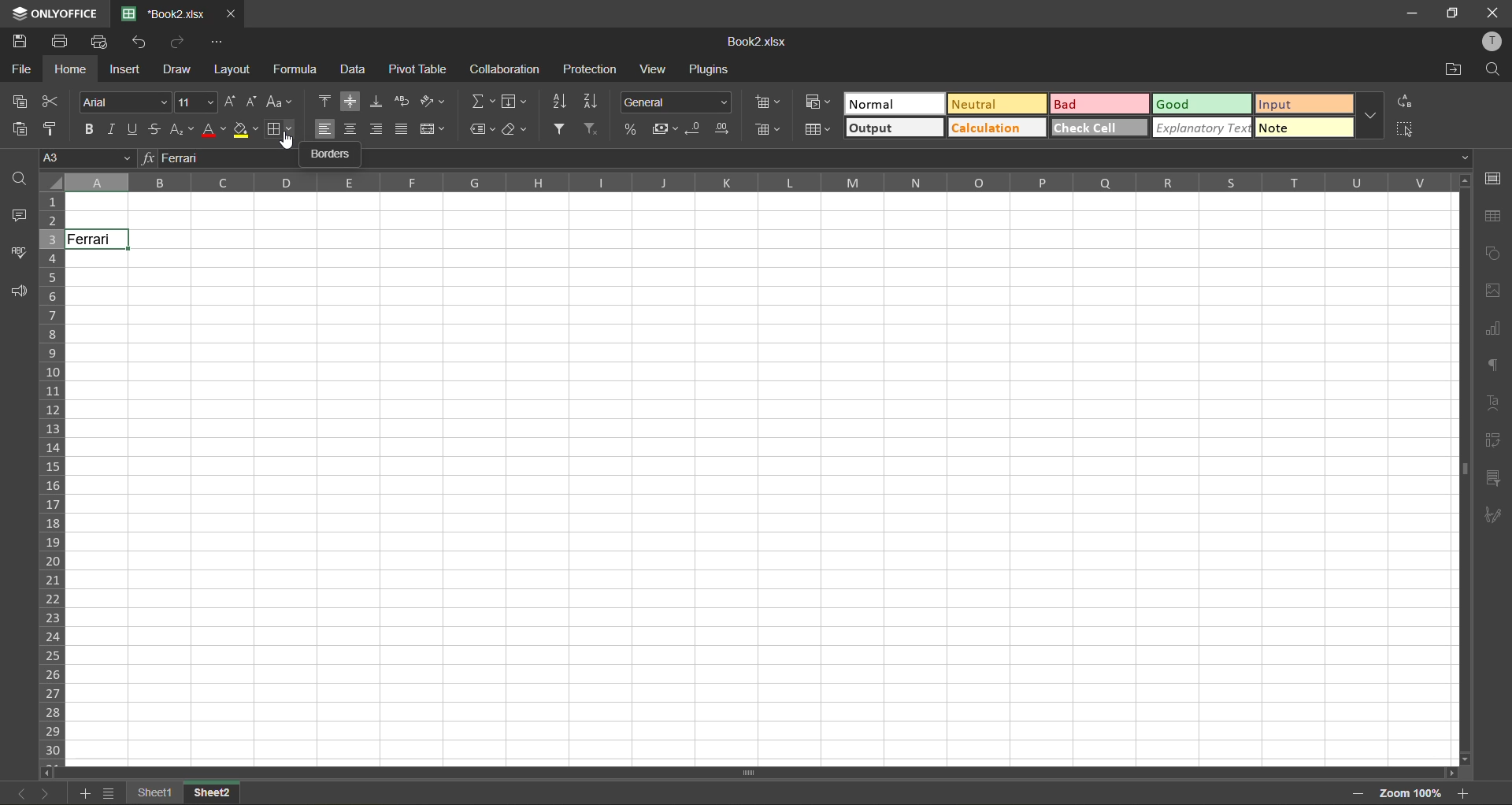 The image size is (1512, 805). What do you see at coordinates (125, 69) in the screenshot?
I see `insert` at bounding box center [125, 69].